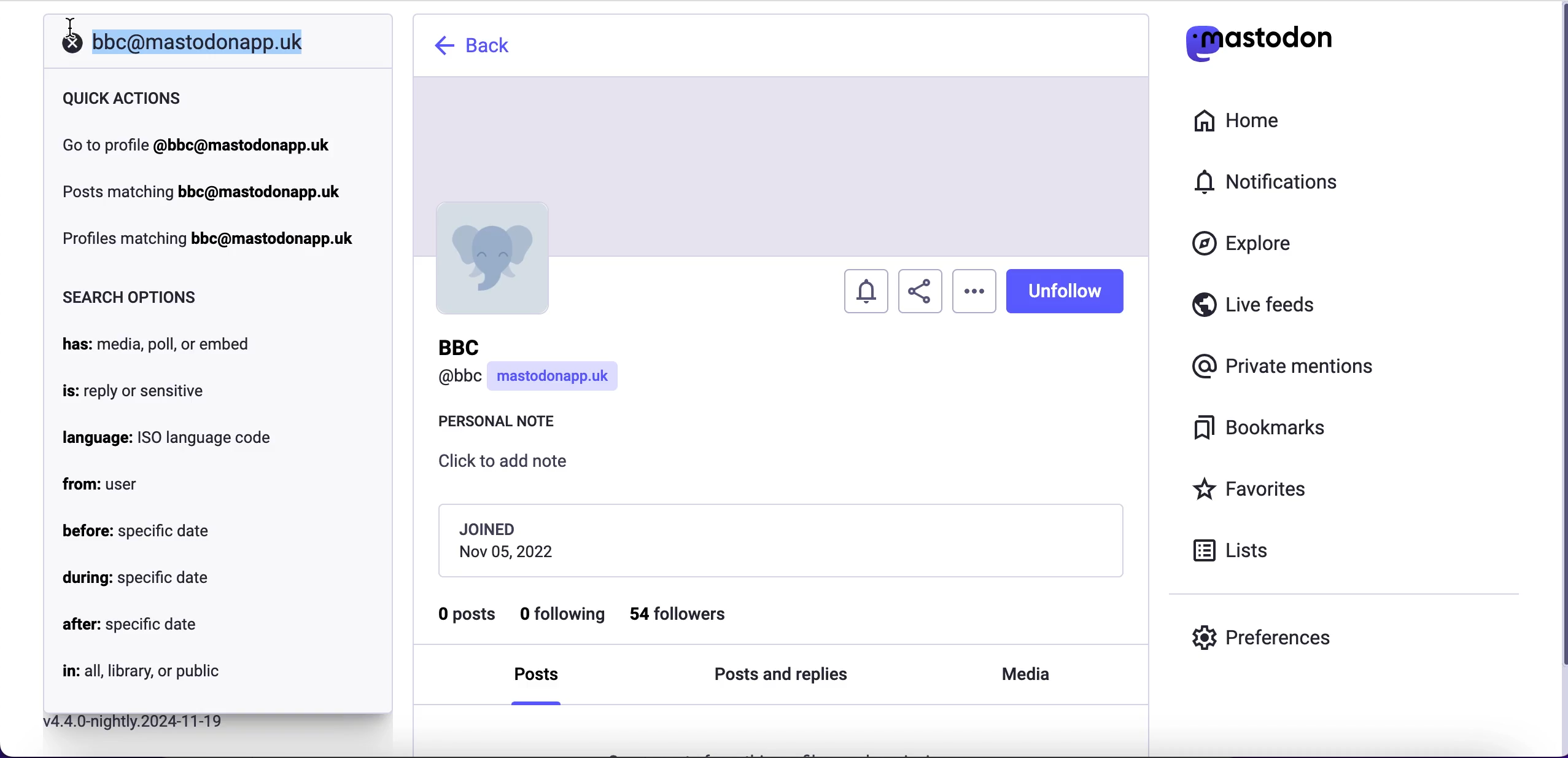  What do you see at coordinates (163, 345) in the screenshot?
I see `has: media` at bounding box center [163, 345].